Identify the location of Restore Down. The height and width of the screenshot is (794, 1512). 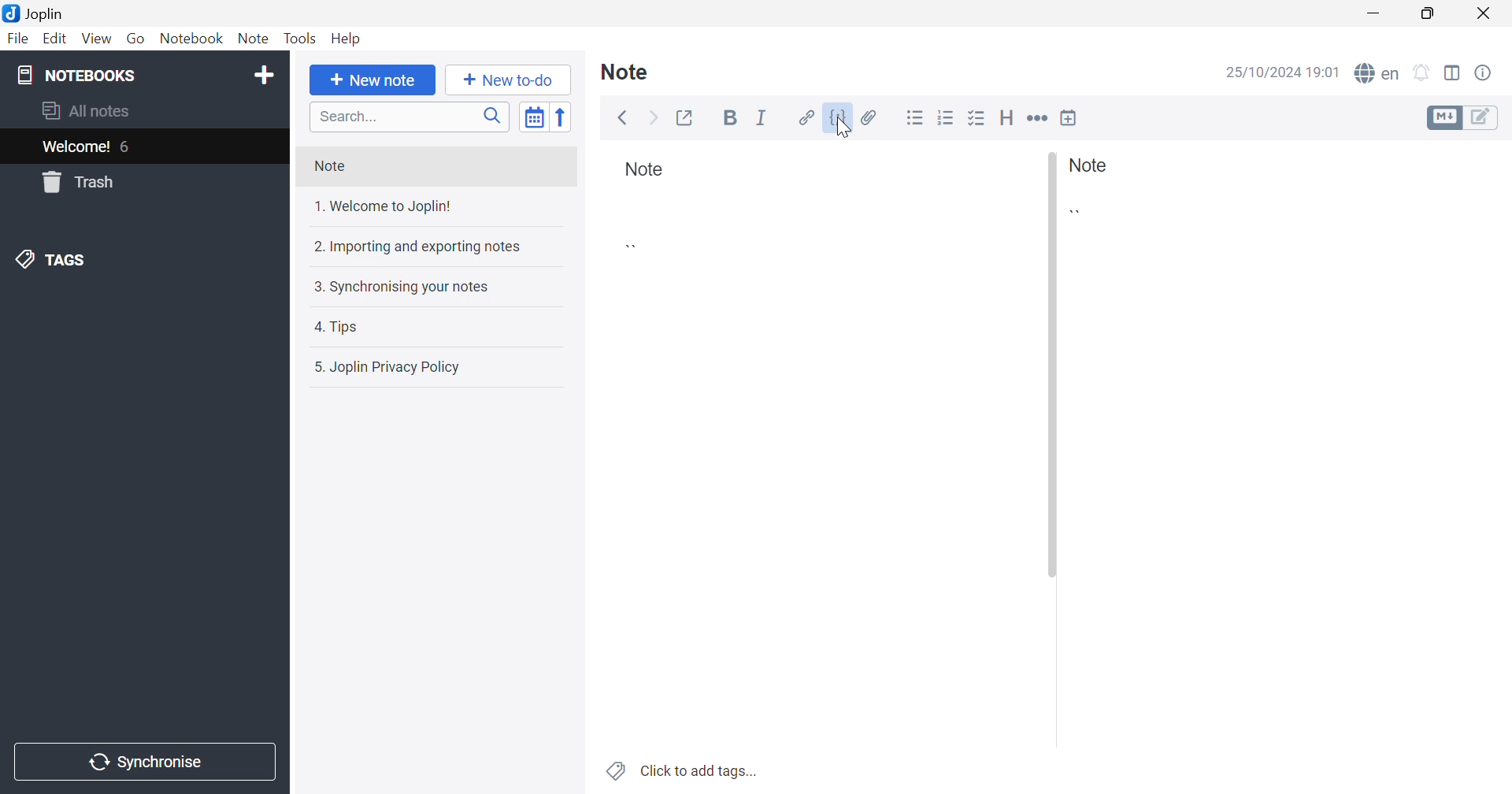
(1429, 16).